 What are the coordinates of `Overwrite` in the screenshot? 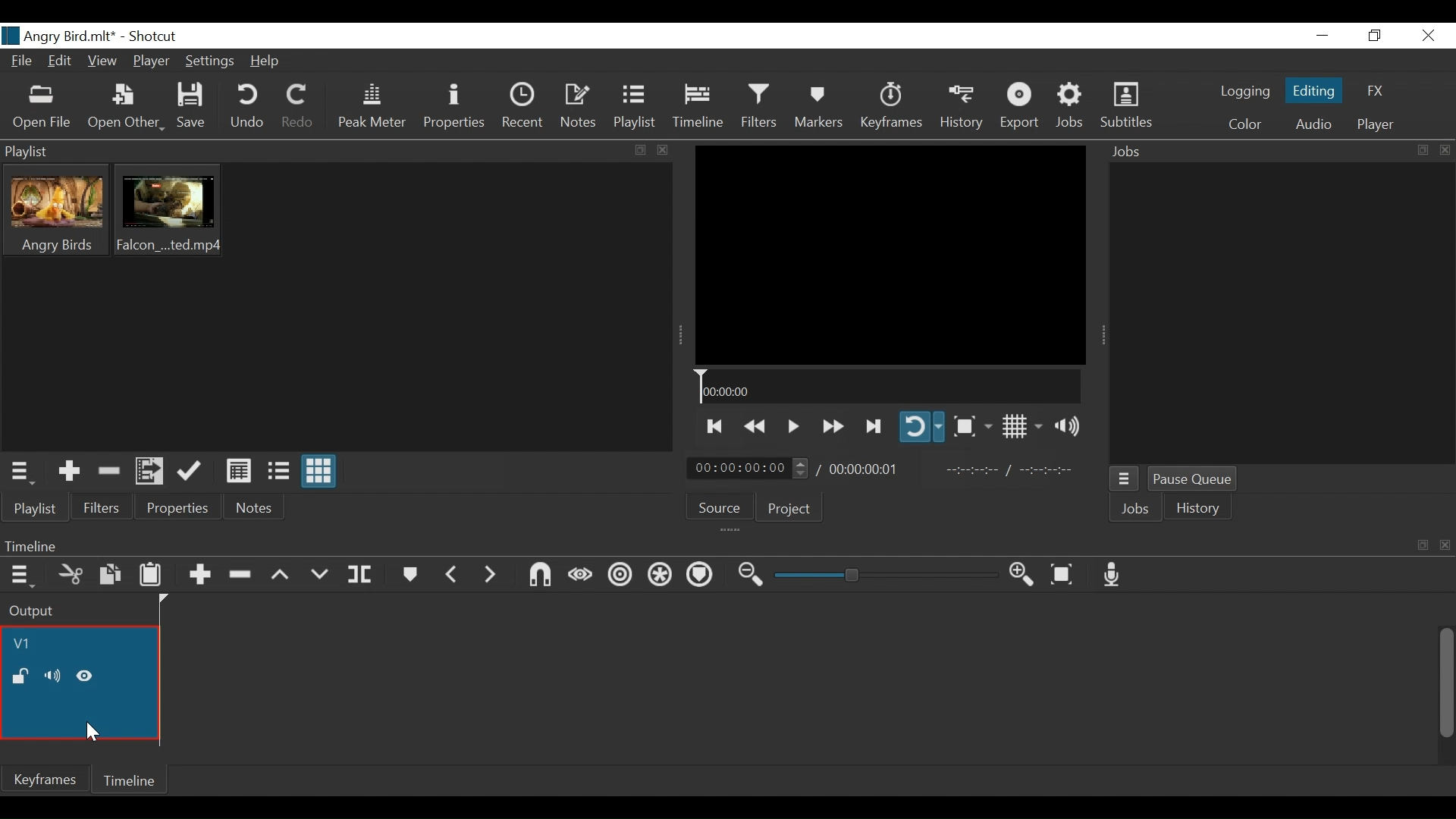 It's located at (319, 576).